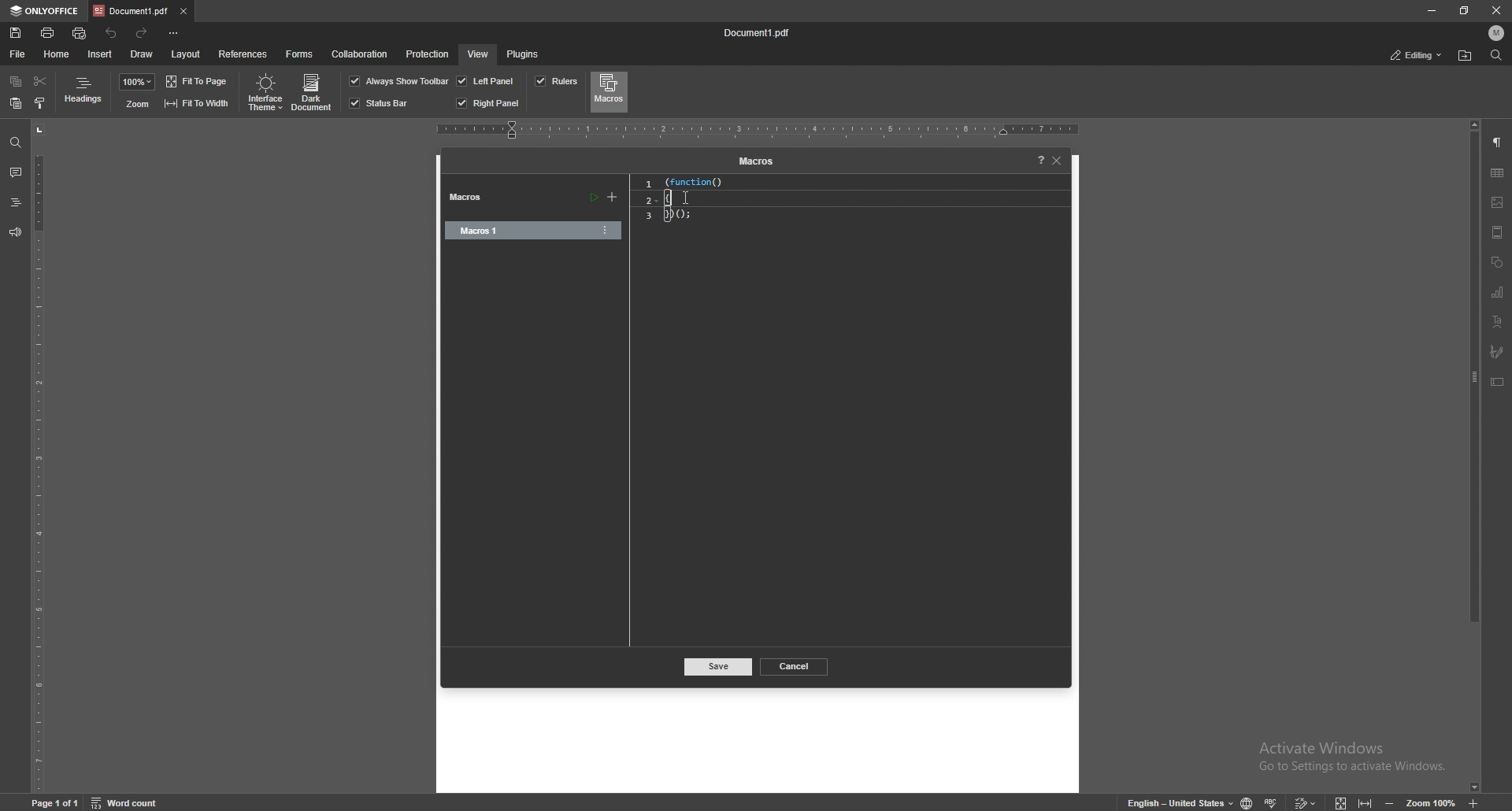 The height and width of the screenshot is (811, 1512). What do you see at coordinates (1274, 800) in the screenshot?
I see `spell check` at bounding box center [1274, 800].